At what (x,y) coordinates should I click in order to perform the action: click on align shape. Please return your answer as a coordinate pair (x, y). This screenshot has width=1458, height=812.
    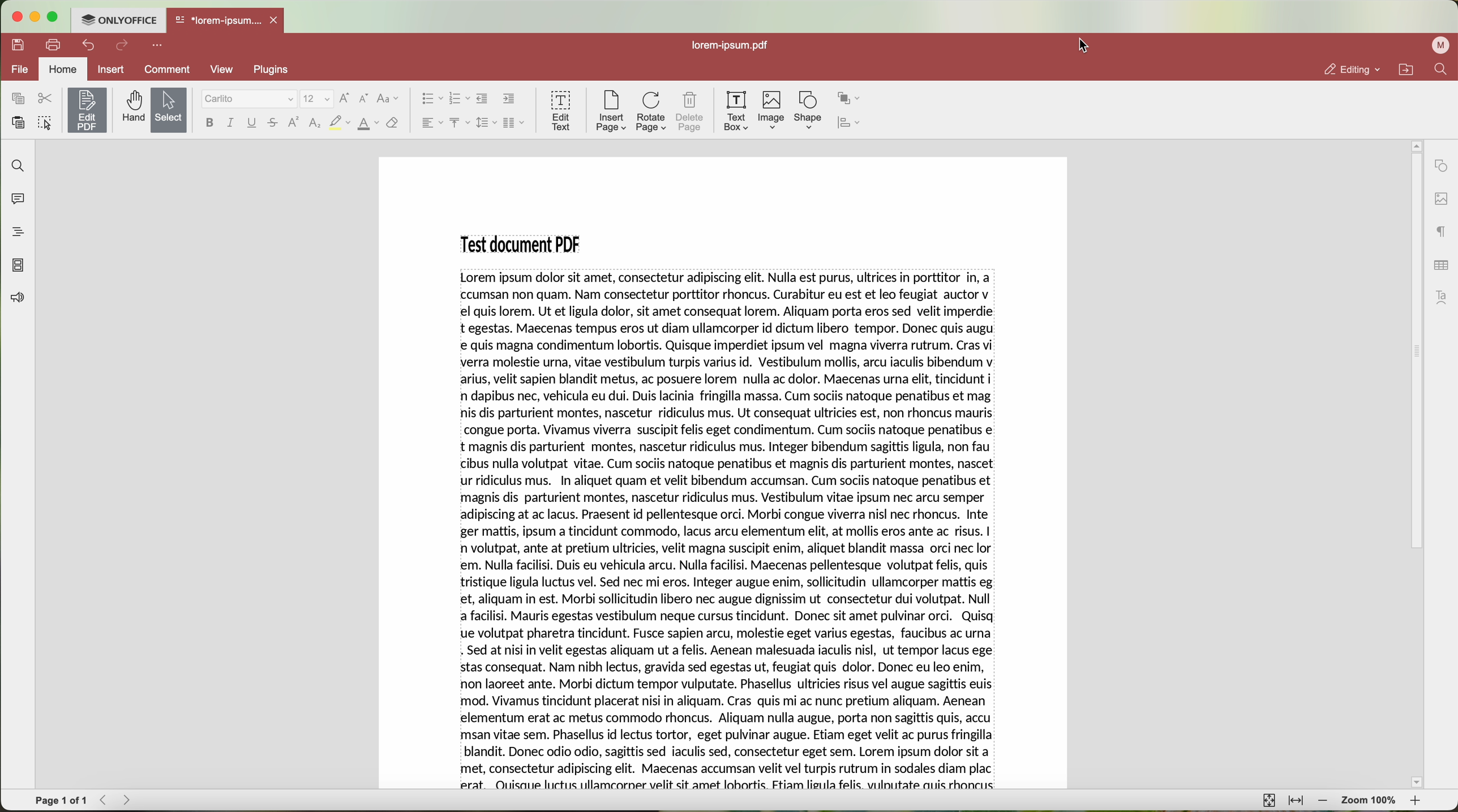
    Looking at the image, I should click on (848, 123).